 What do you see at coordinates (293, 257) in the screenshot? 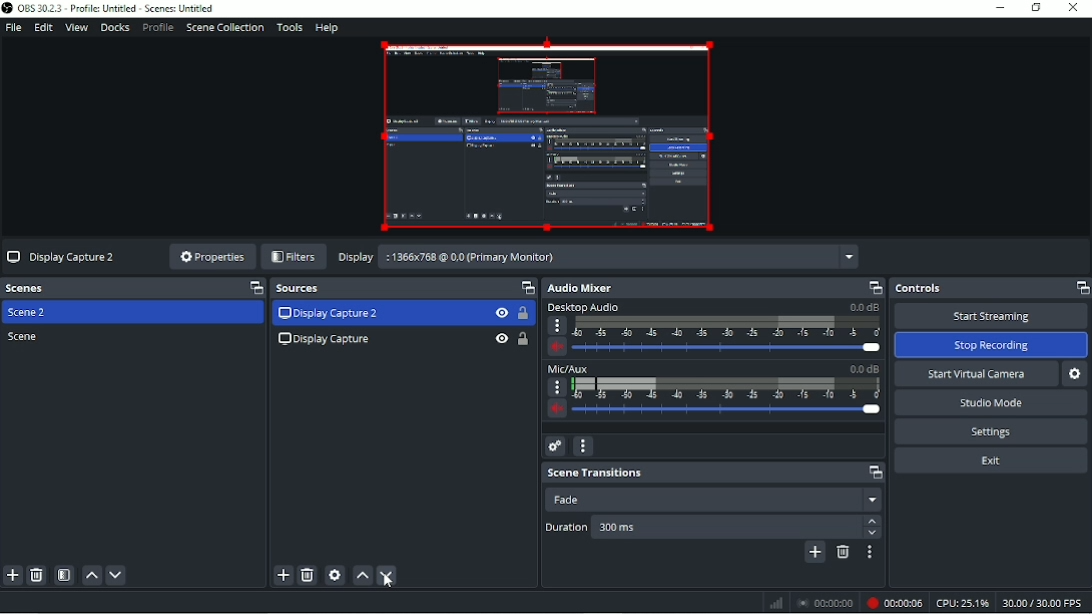
I see `Filters` at bounding box center [293, 257].